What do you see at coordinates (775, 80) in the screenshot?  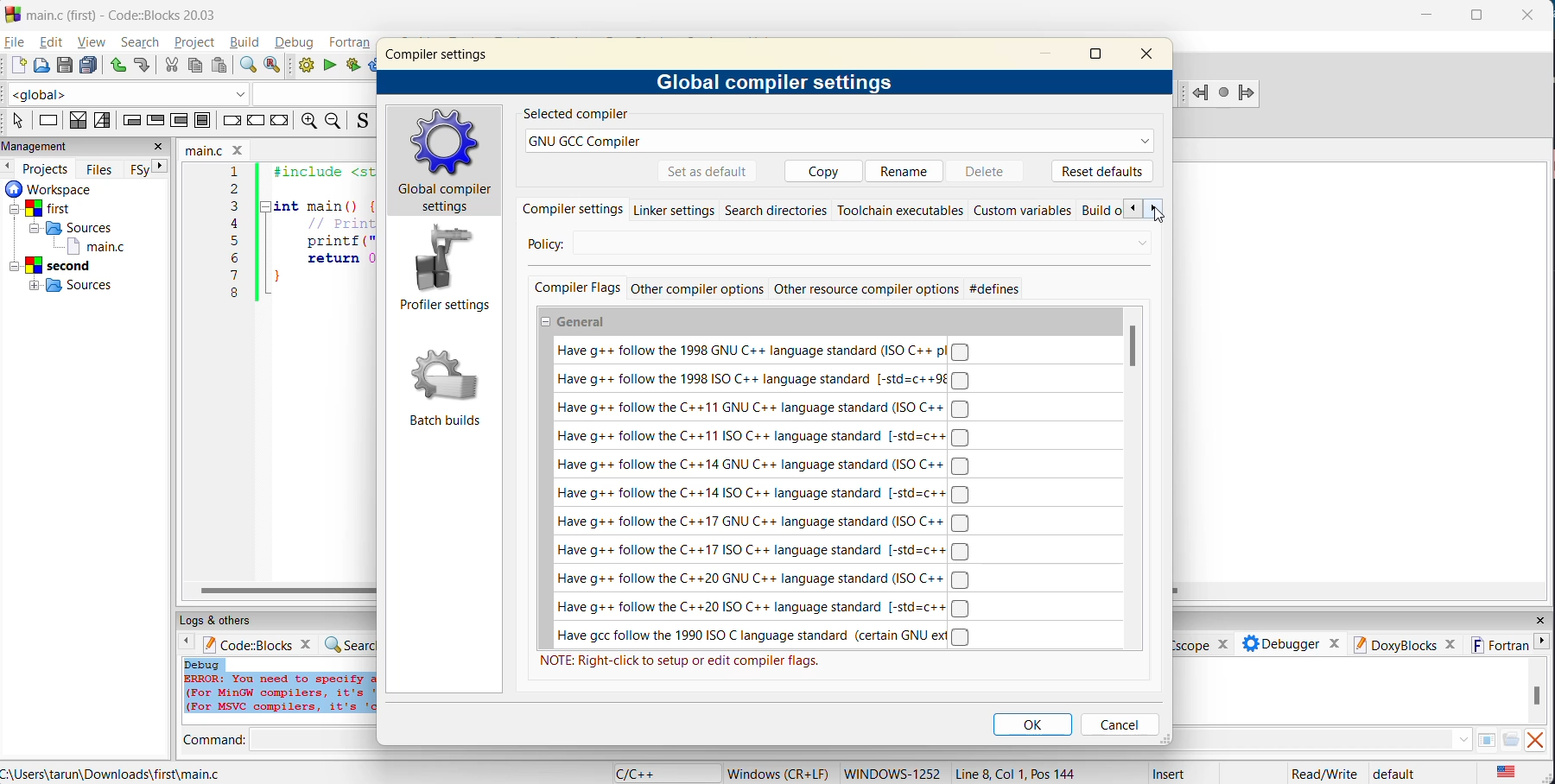 I see `global compiler settings` at bounding box center [775, 80].